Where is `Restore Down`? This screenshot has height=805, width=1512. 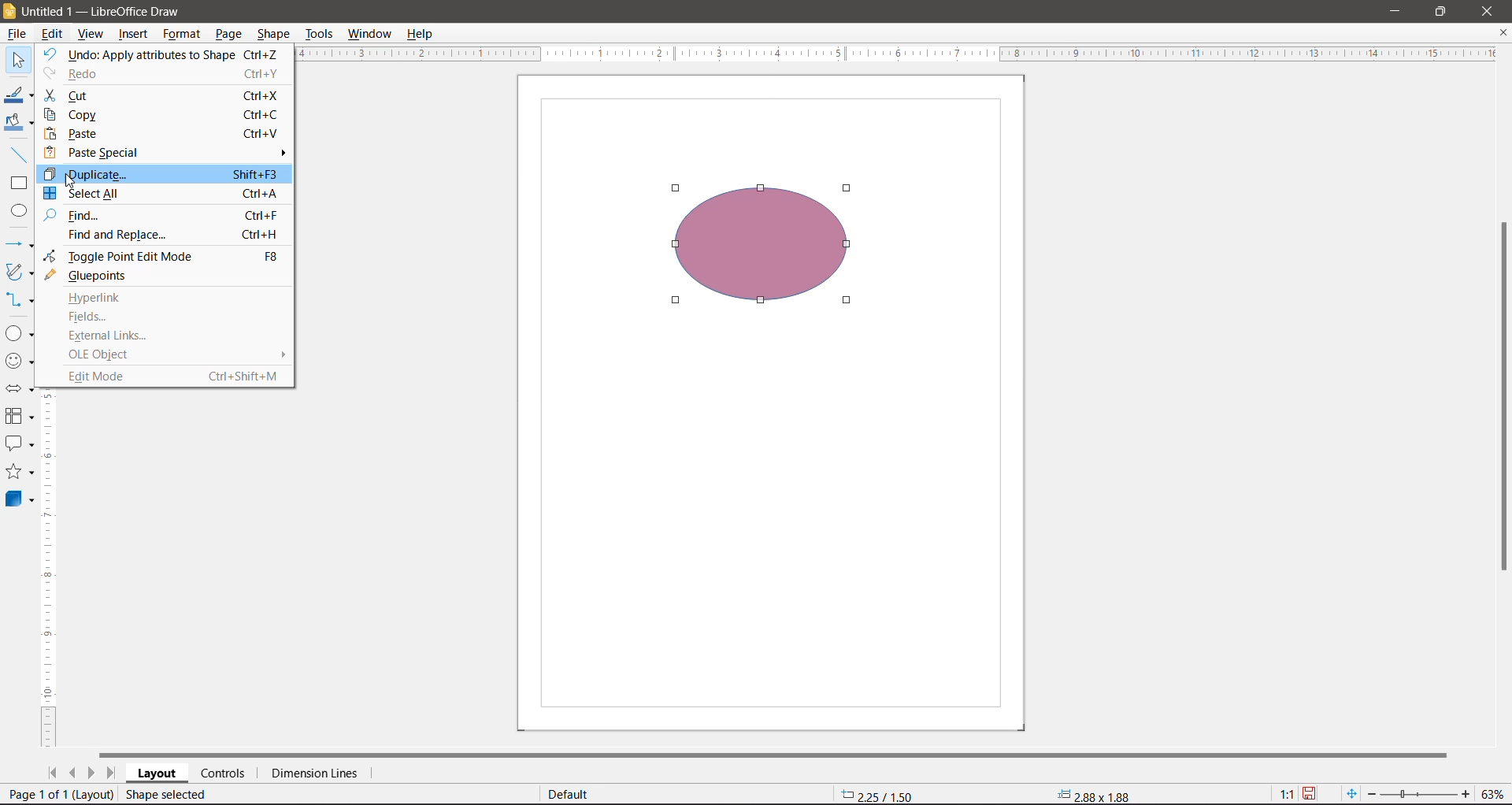
Restore Down is located at coordinates (1442, 12).